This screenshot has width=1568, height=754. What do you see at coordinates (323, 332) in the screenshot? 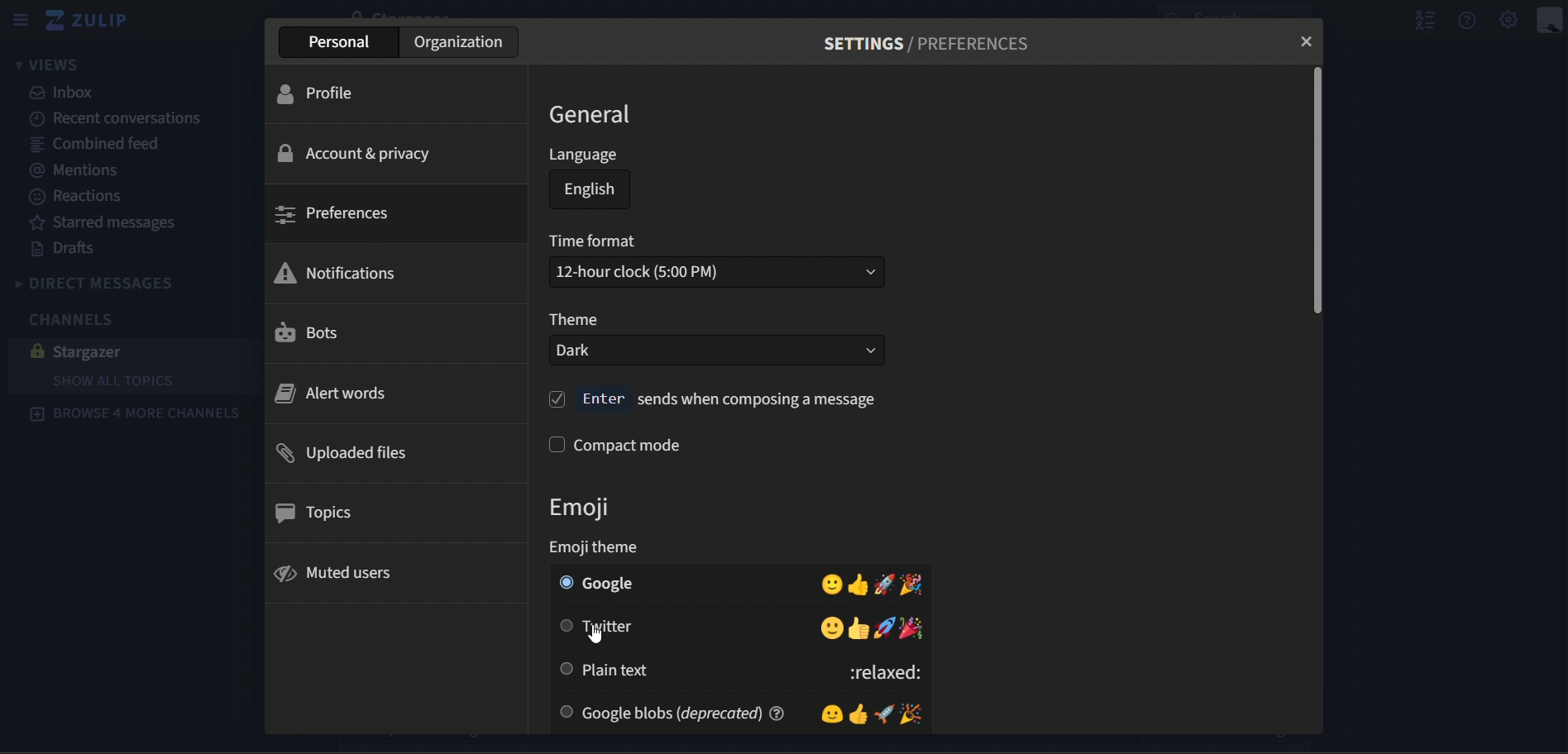
I see `bots` at bounding box center [323, 332].